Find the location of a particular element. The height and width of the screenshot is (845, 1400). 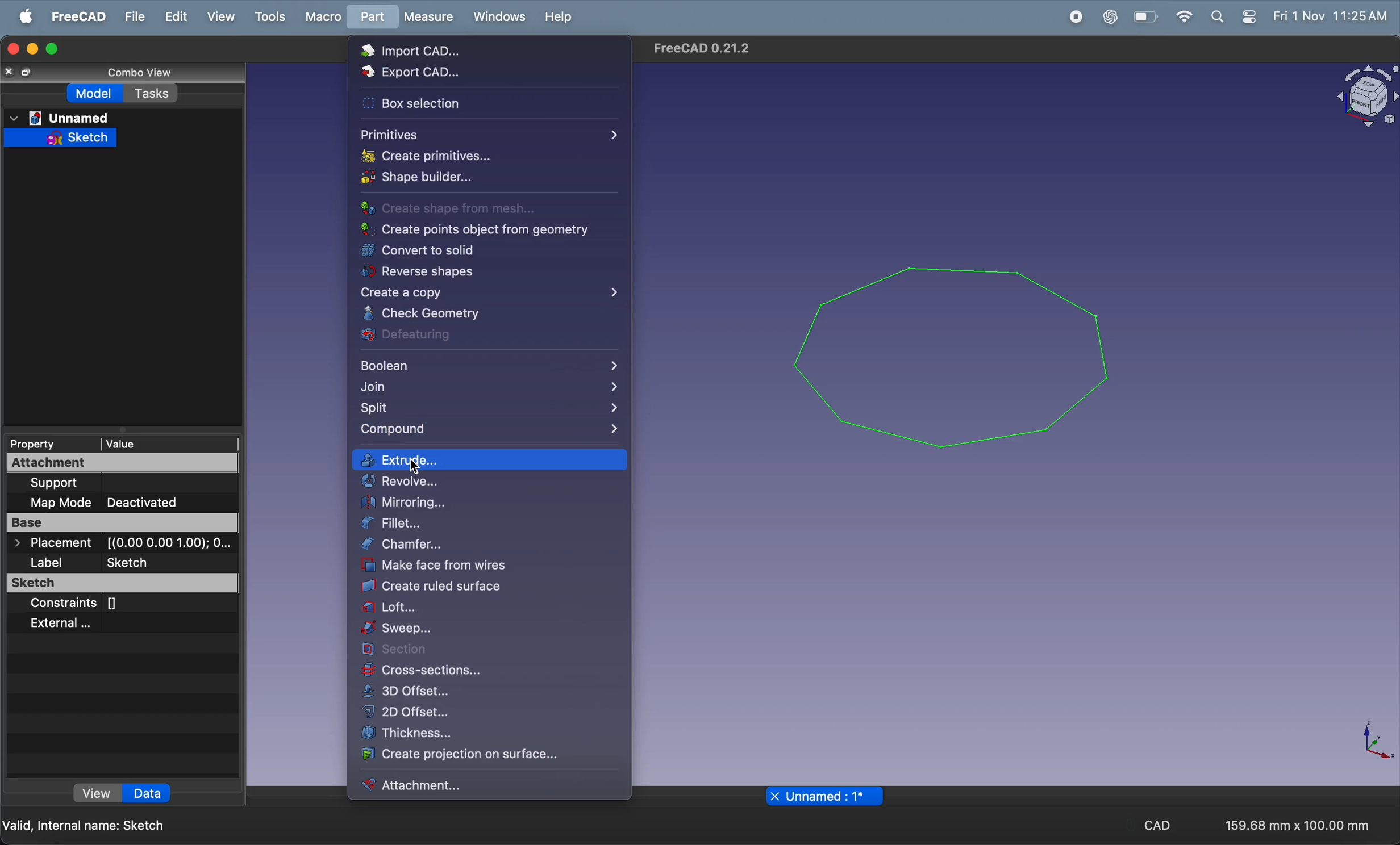

measure is located at coordinates (427, 17).